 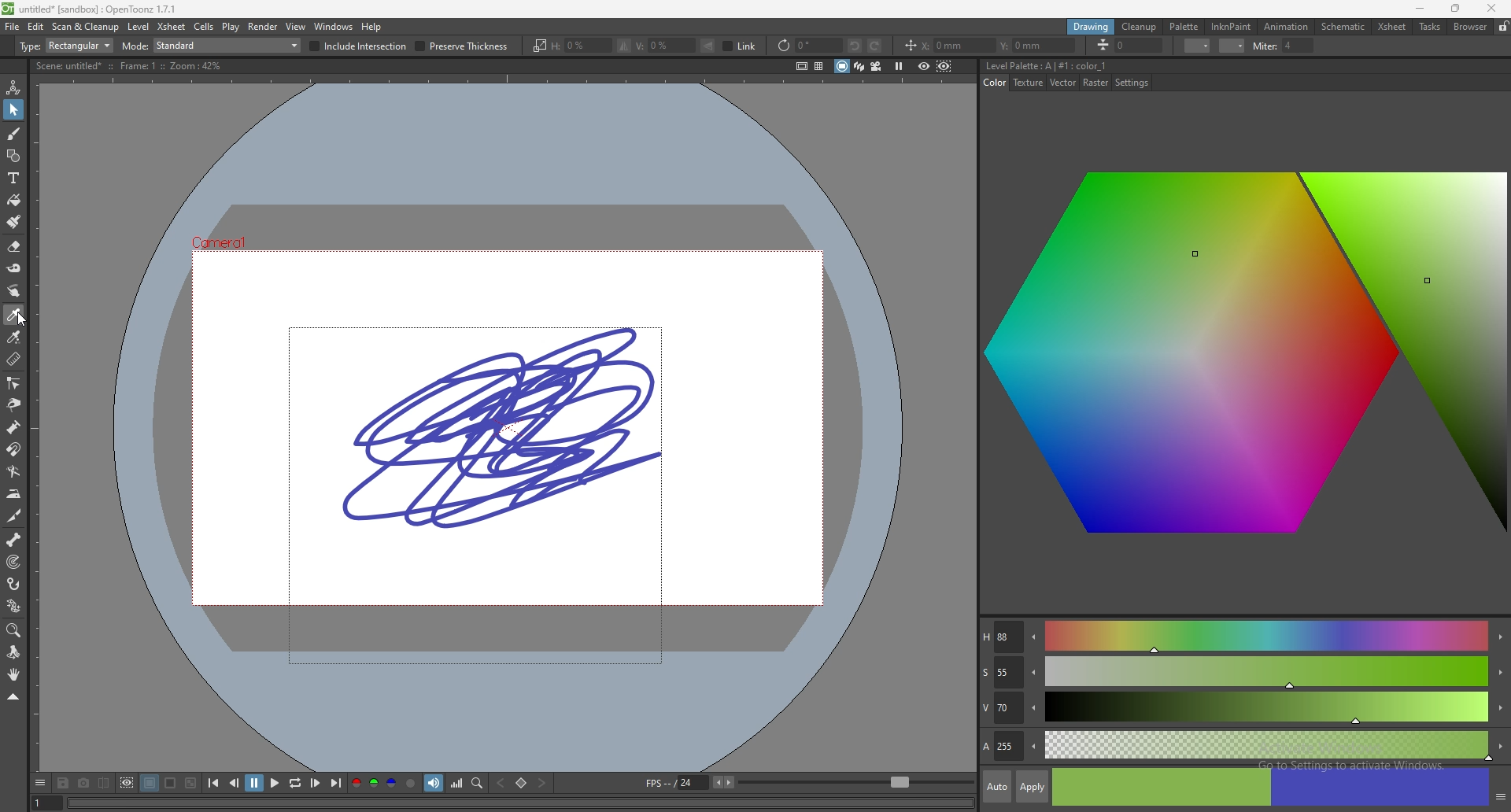 I want to click on cells, so click(x=204, y=27).